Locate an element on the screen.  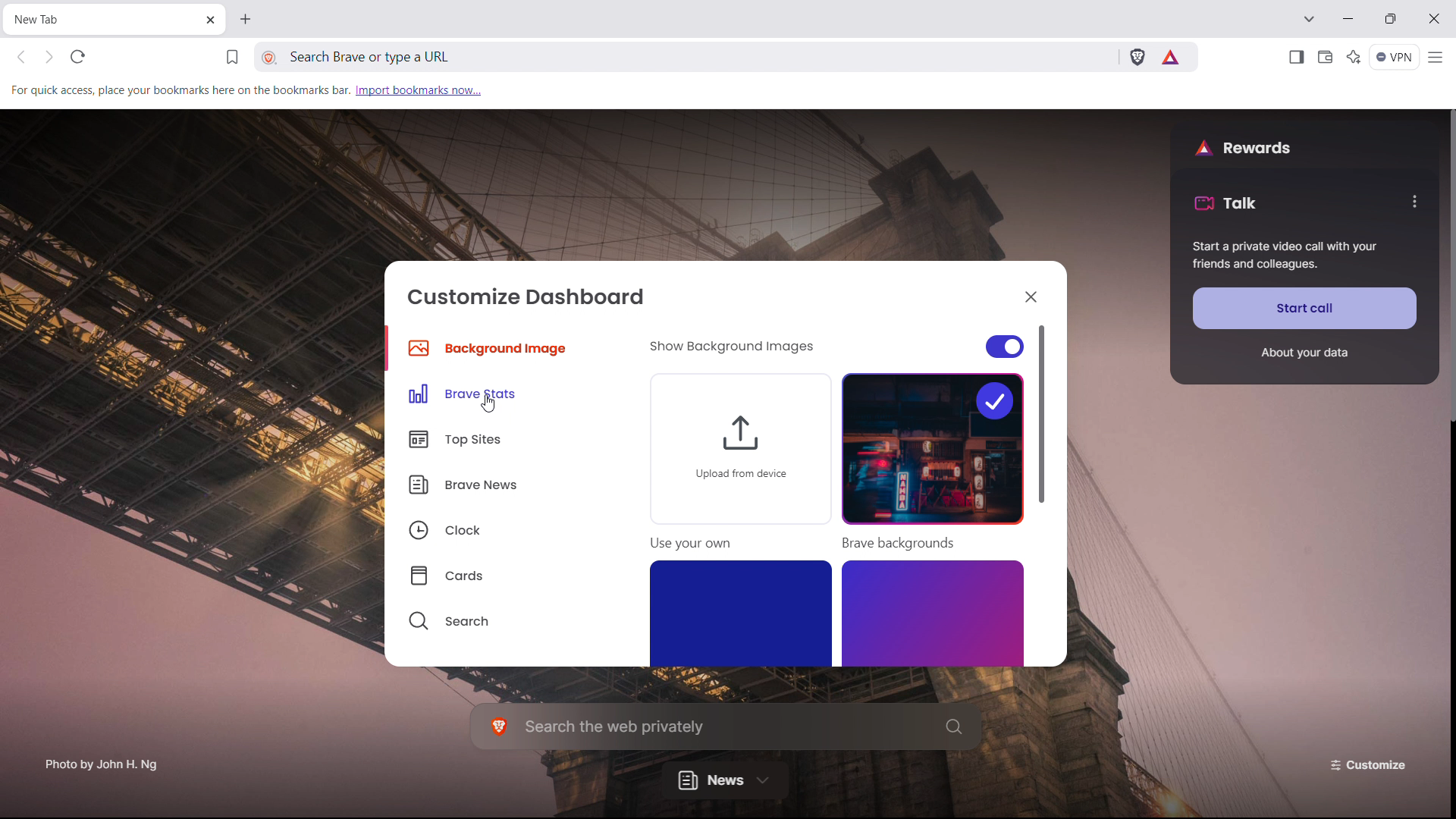
open sidebar is located at coordinates (1295, 58).